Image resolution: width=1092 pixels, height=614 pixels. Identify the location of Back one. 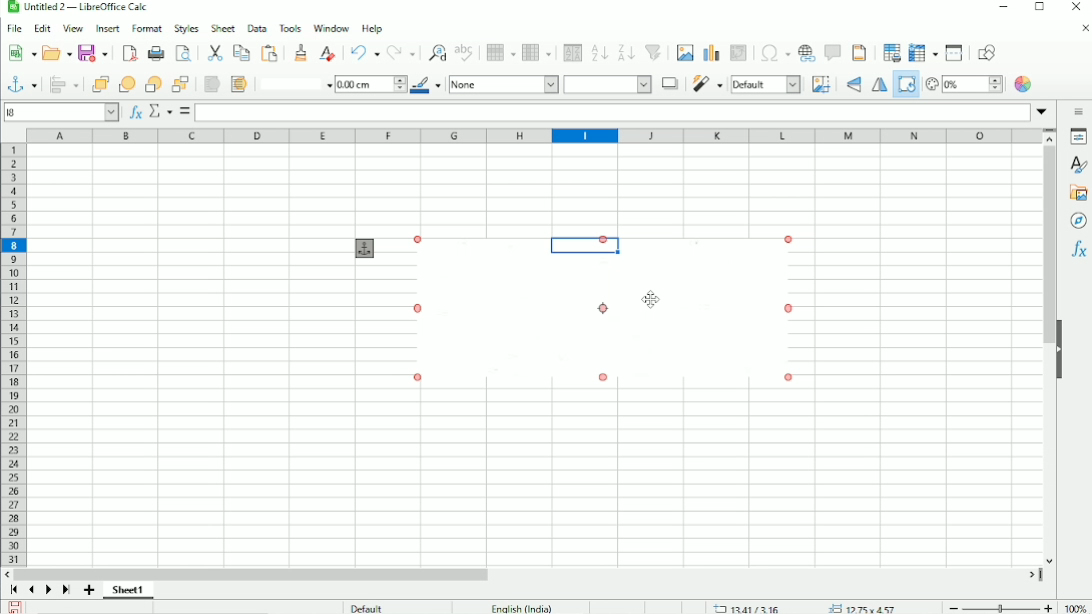
(152, 84).